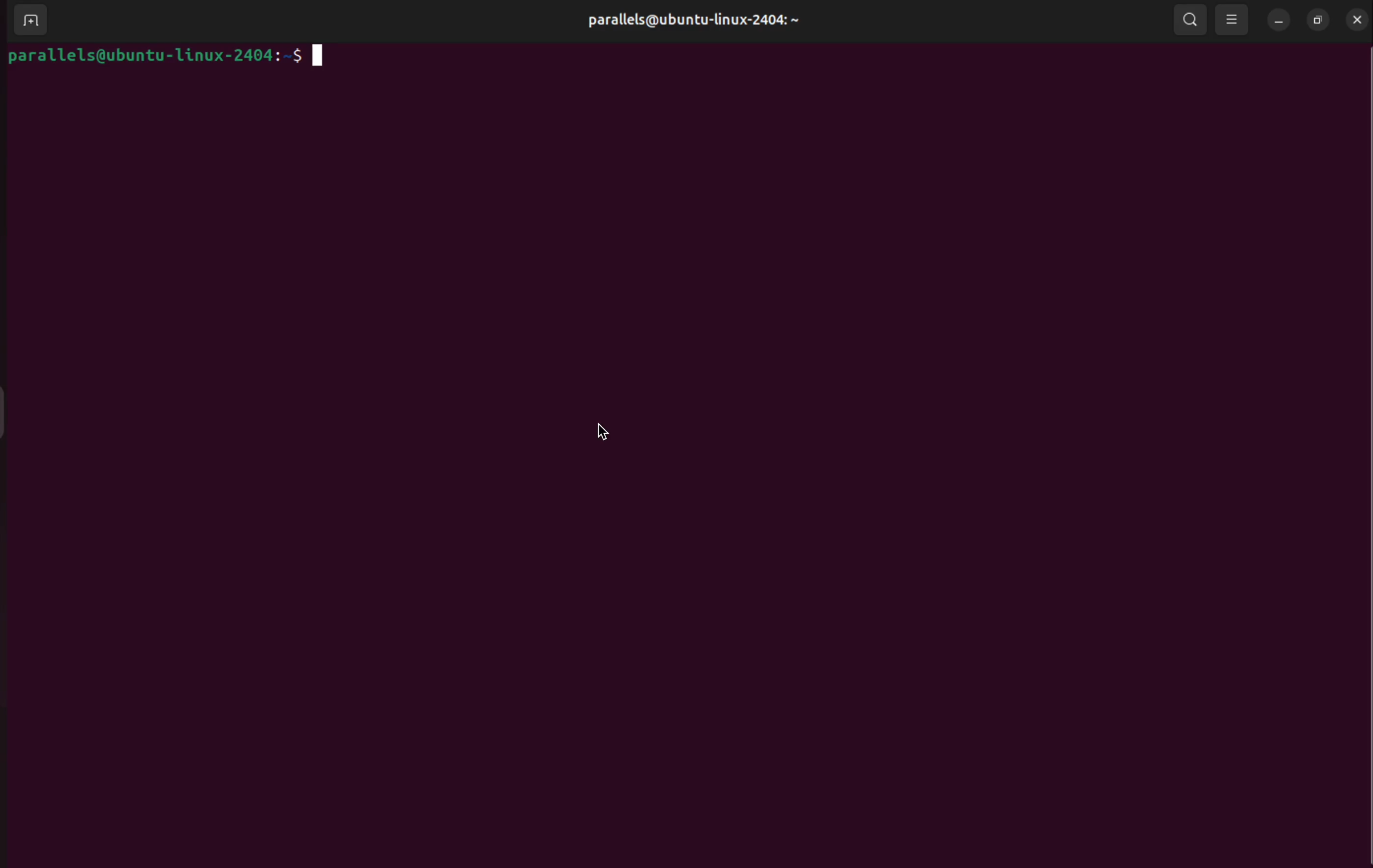  Describe the element at coordinates (1233, 19) in the screenshot. I see `view options` at that location.